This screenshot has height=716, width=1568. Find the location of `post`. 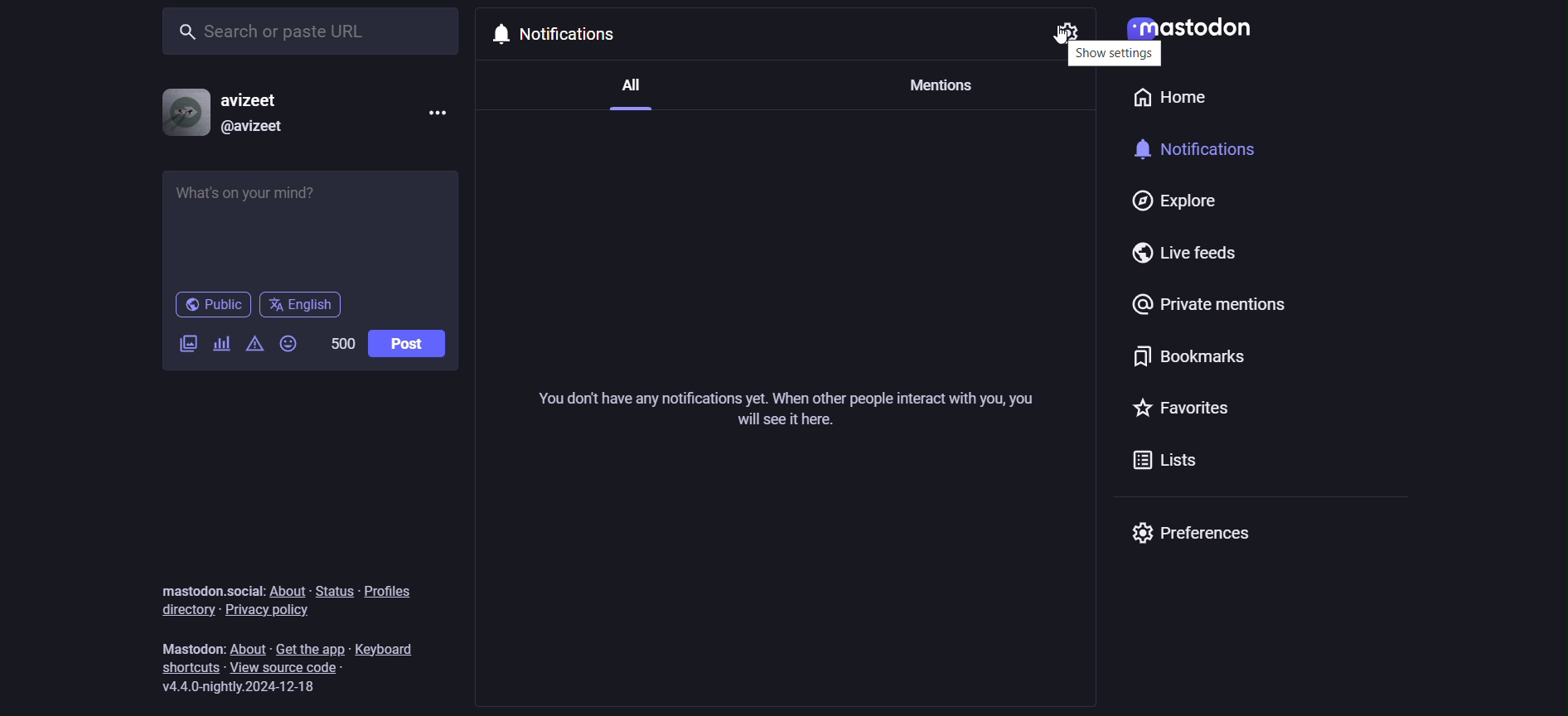

post is located at coordinates (407, 344).